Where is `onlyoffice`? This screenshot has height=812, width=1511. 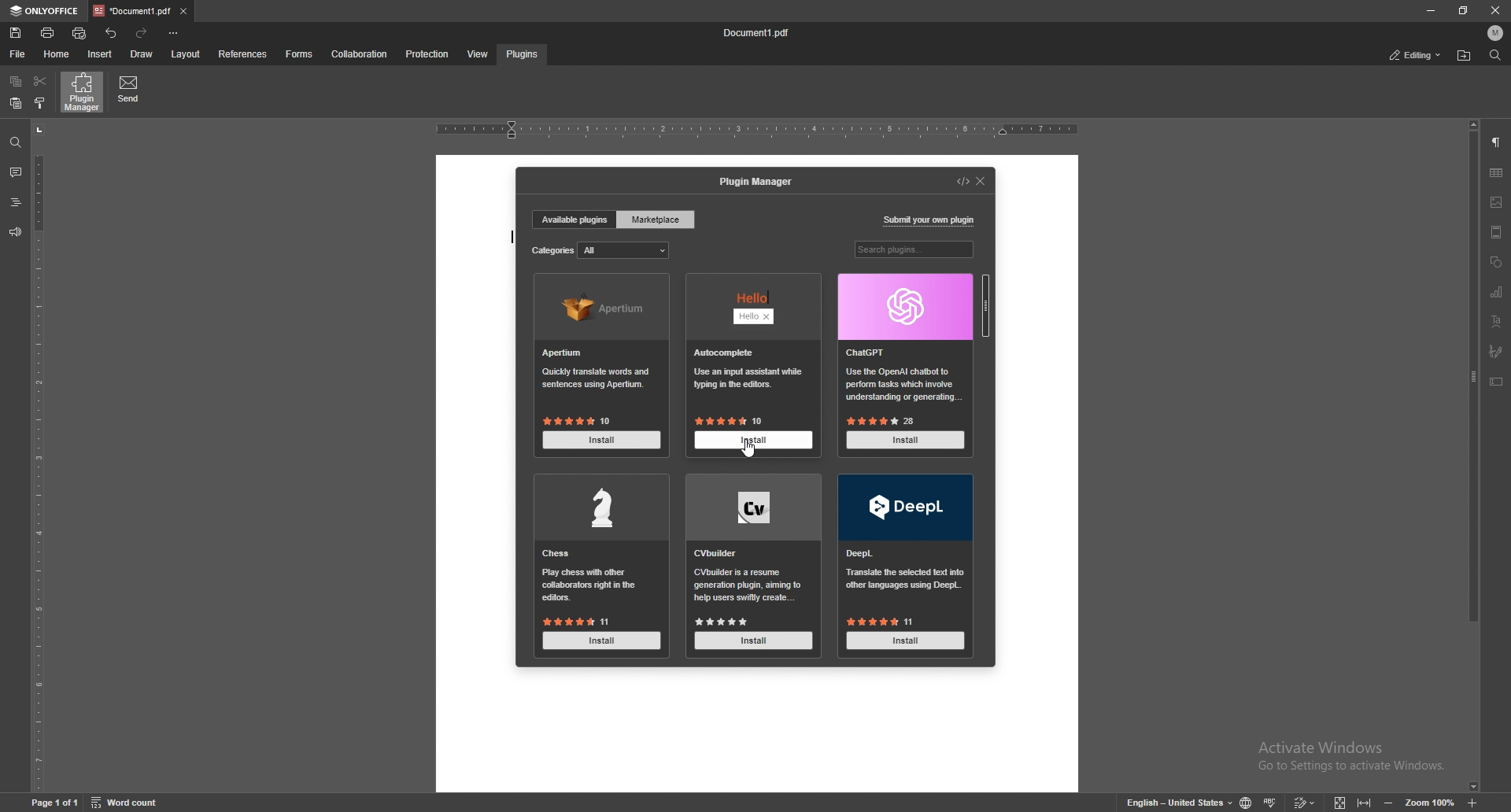
onlyoffice is located at coordinates (46, 11).